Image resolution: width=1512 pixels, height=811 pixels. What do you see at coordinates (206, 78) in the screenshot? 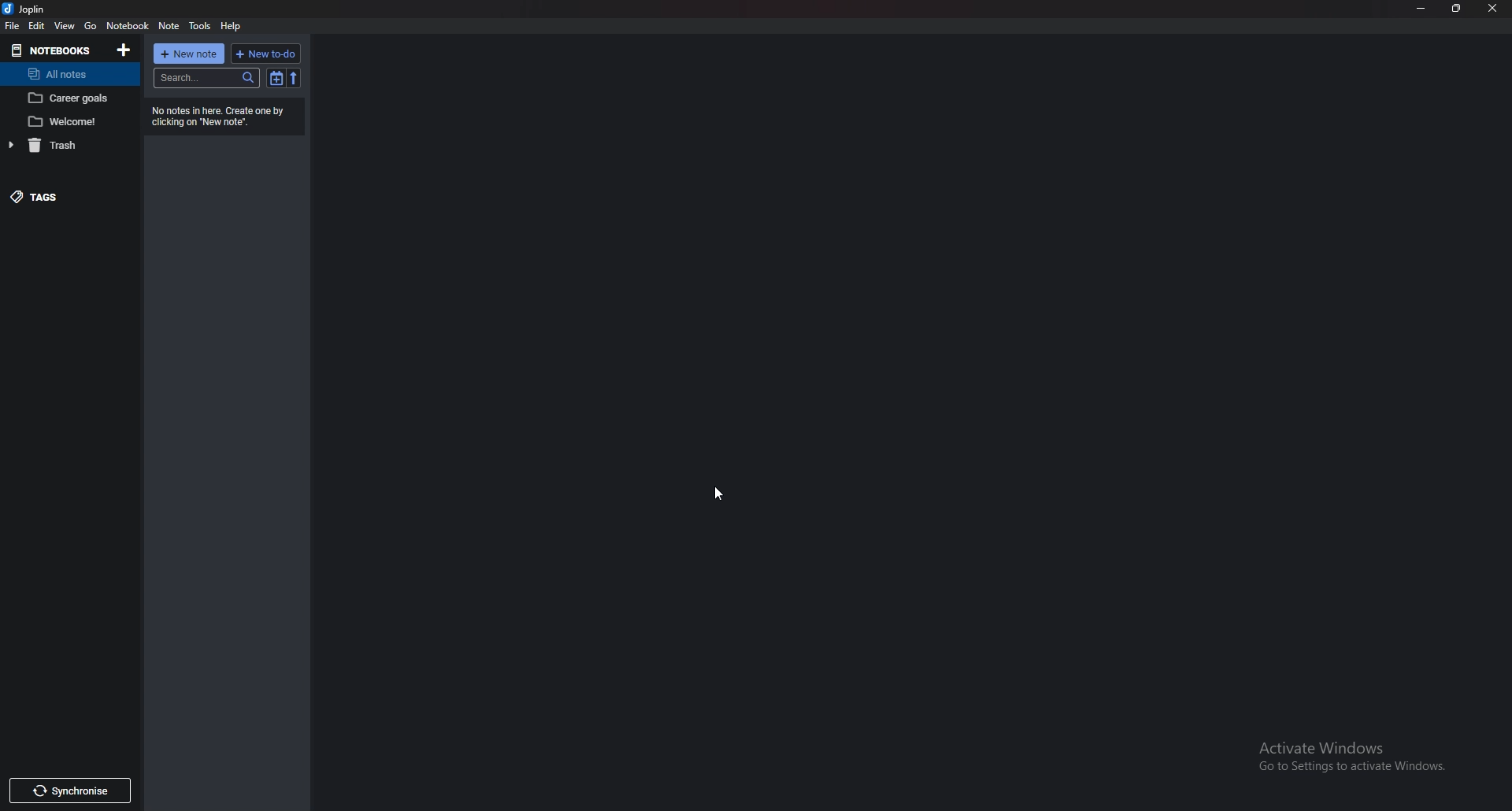
I see `search` at bounding box center [206, 78].